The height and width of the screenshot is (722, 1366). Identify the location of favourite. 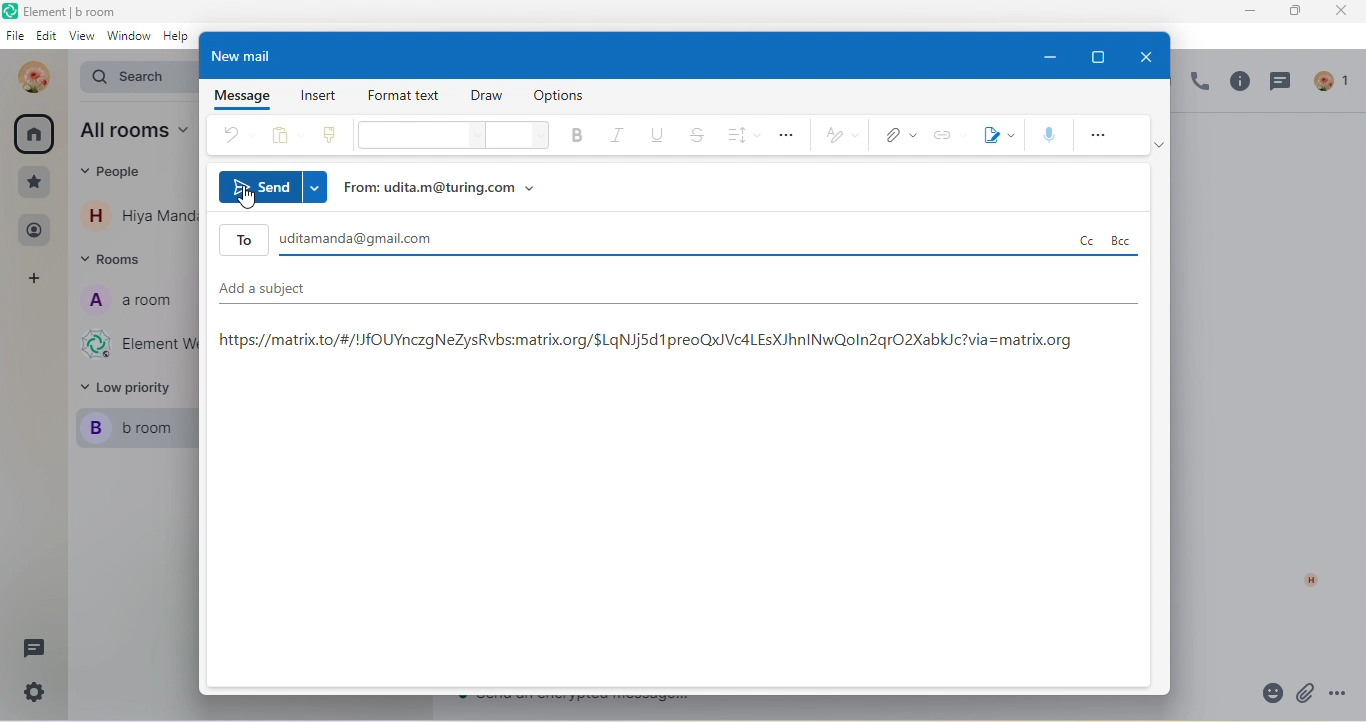
(35, 182).